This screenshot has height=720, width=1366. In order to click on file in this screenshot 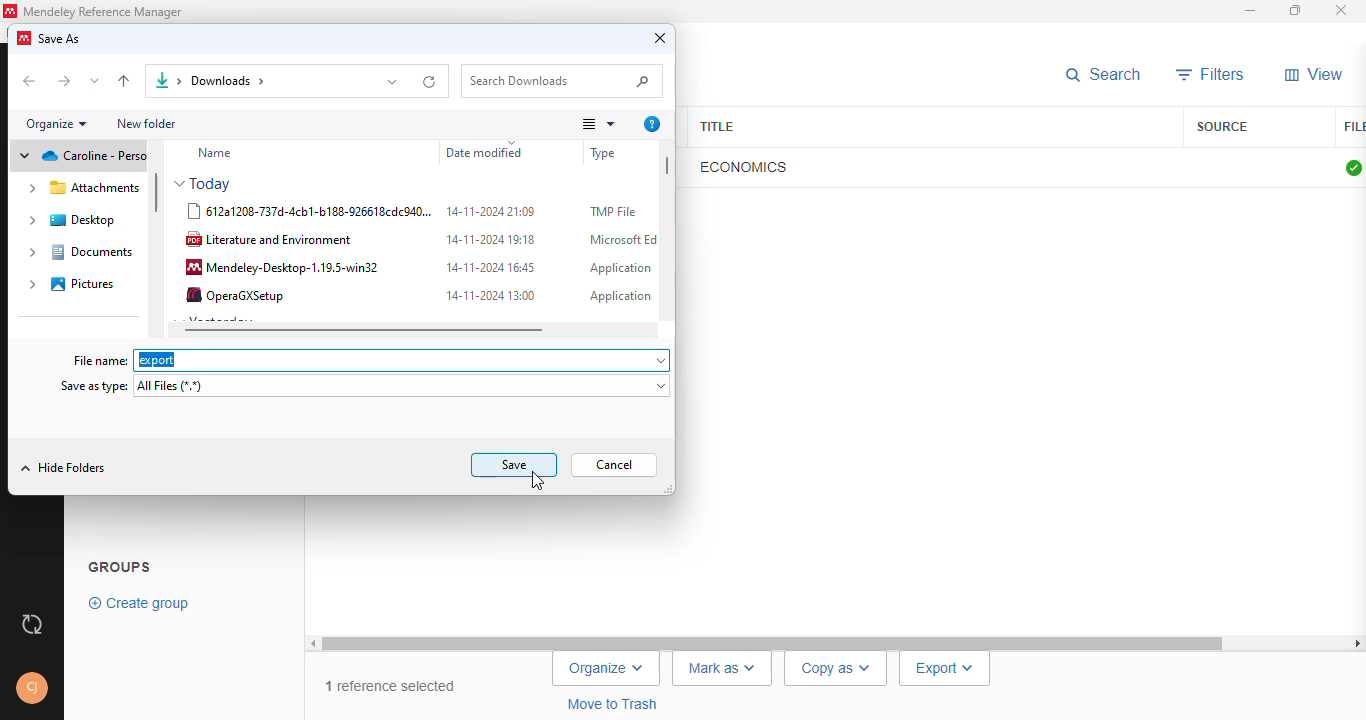, I will do `click(1354, 127)`.